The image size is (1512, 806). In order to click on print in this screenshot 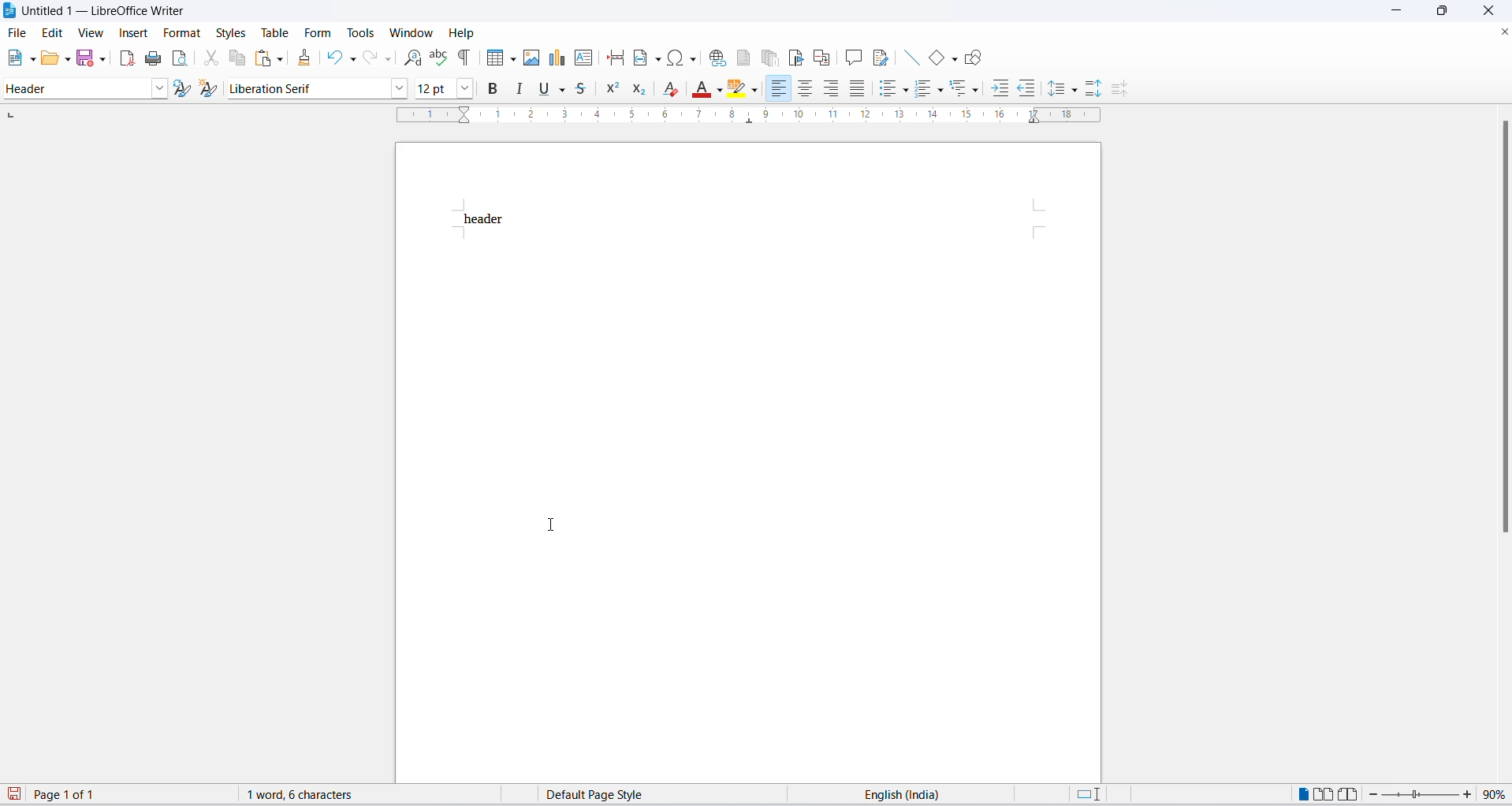, I will do `click(150, 57)`.